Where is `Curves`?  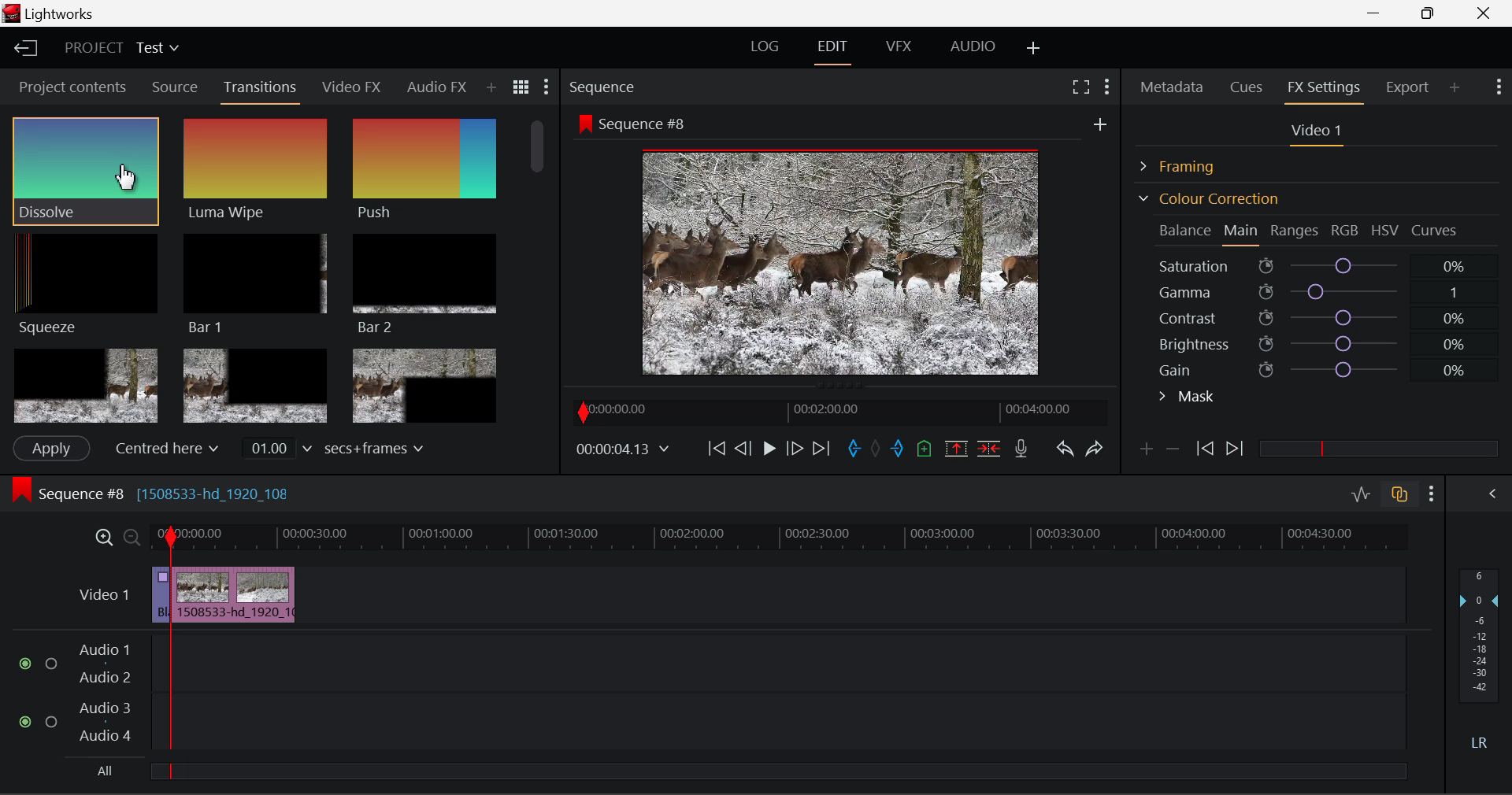
Curves is located at coordinates (1436, 230).